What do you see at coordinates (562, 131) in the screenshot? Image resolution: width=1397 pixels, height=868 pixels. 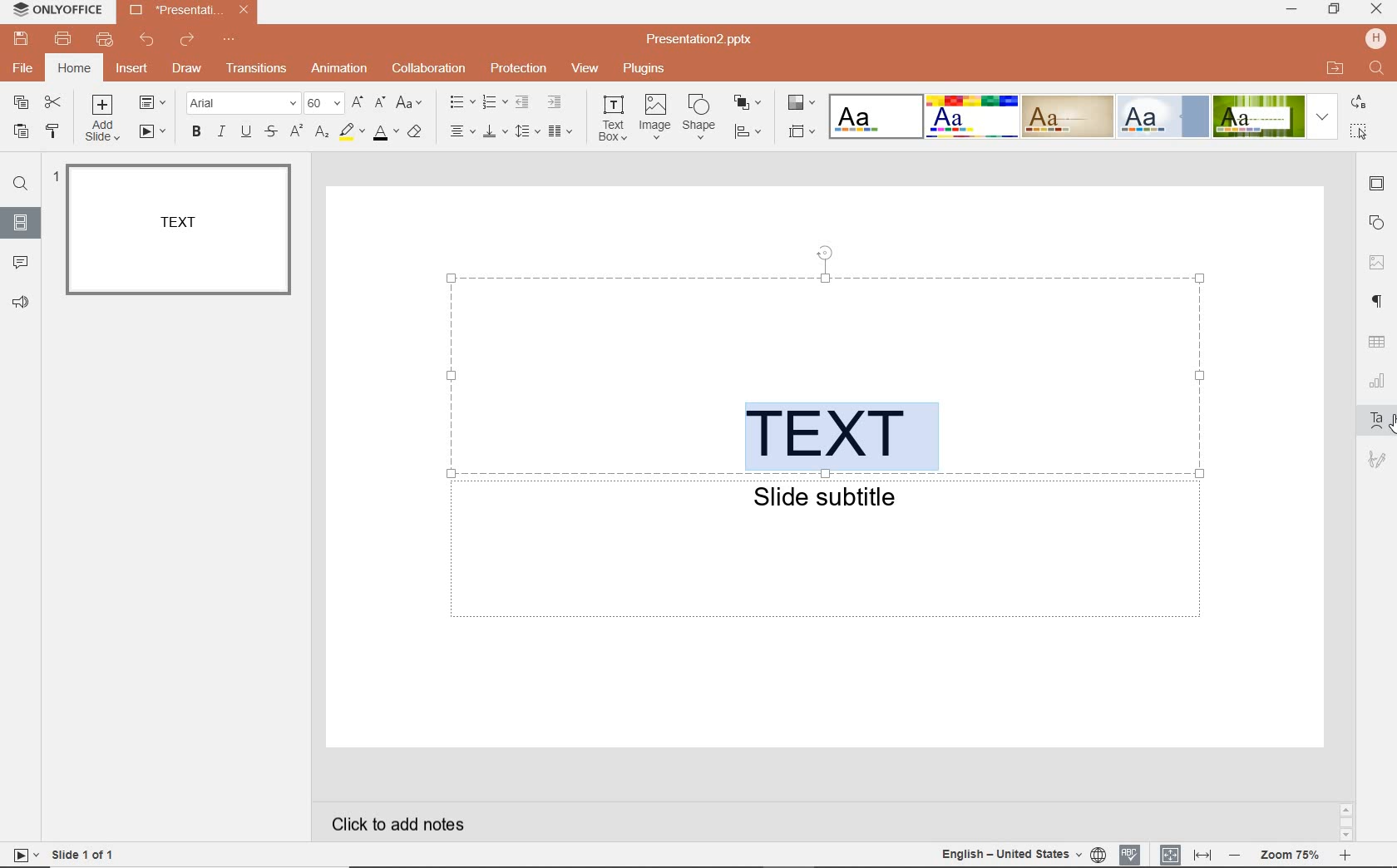 I see `insert columns` at bounding box center [562, 131].